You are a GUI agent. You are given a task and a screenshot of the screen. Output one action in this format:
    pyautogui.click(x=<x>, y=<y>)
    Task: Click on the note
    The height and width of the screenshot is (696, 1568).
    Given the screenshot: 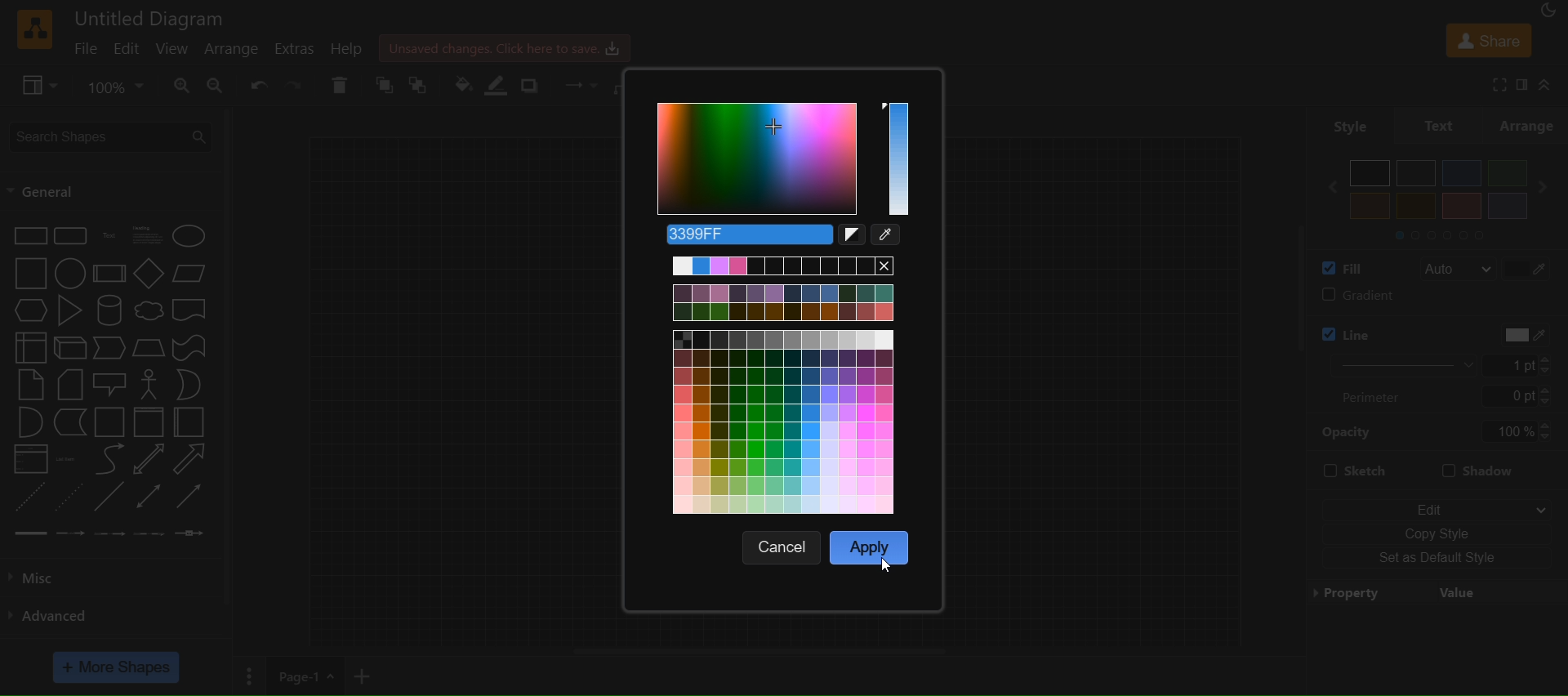 What is the action you would take?
    pyautogui.click(x=29, y=384)
    